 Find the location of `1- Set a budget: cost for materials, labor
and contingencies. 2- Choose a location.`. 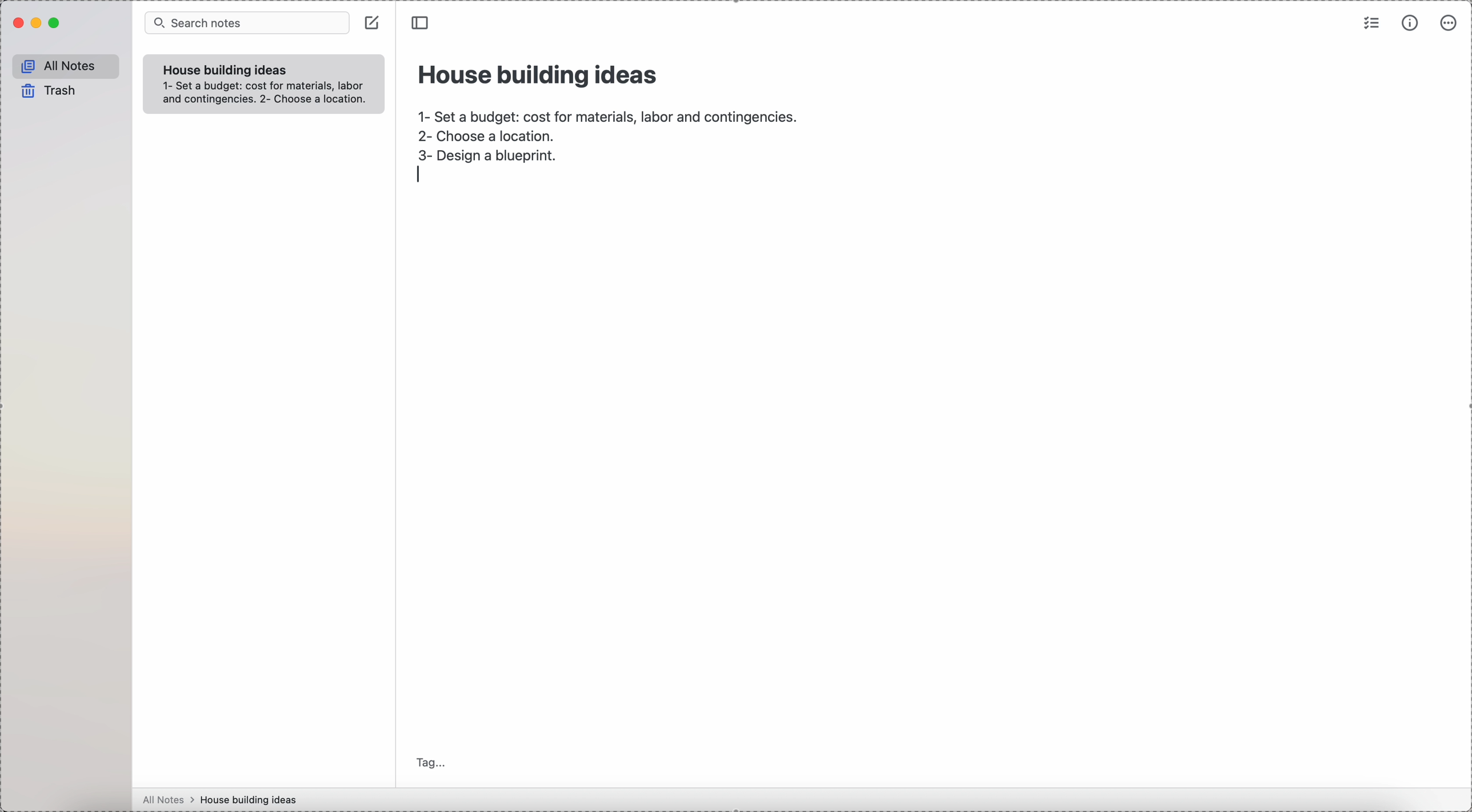

1- Set a budget: cost for materials, labor
and contingencies. 2- Choose a location. is located at coordinates (266, 95).